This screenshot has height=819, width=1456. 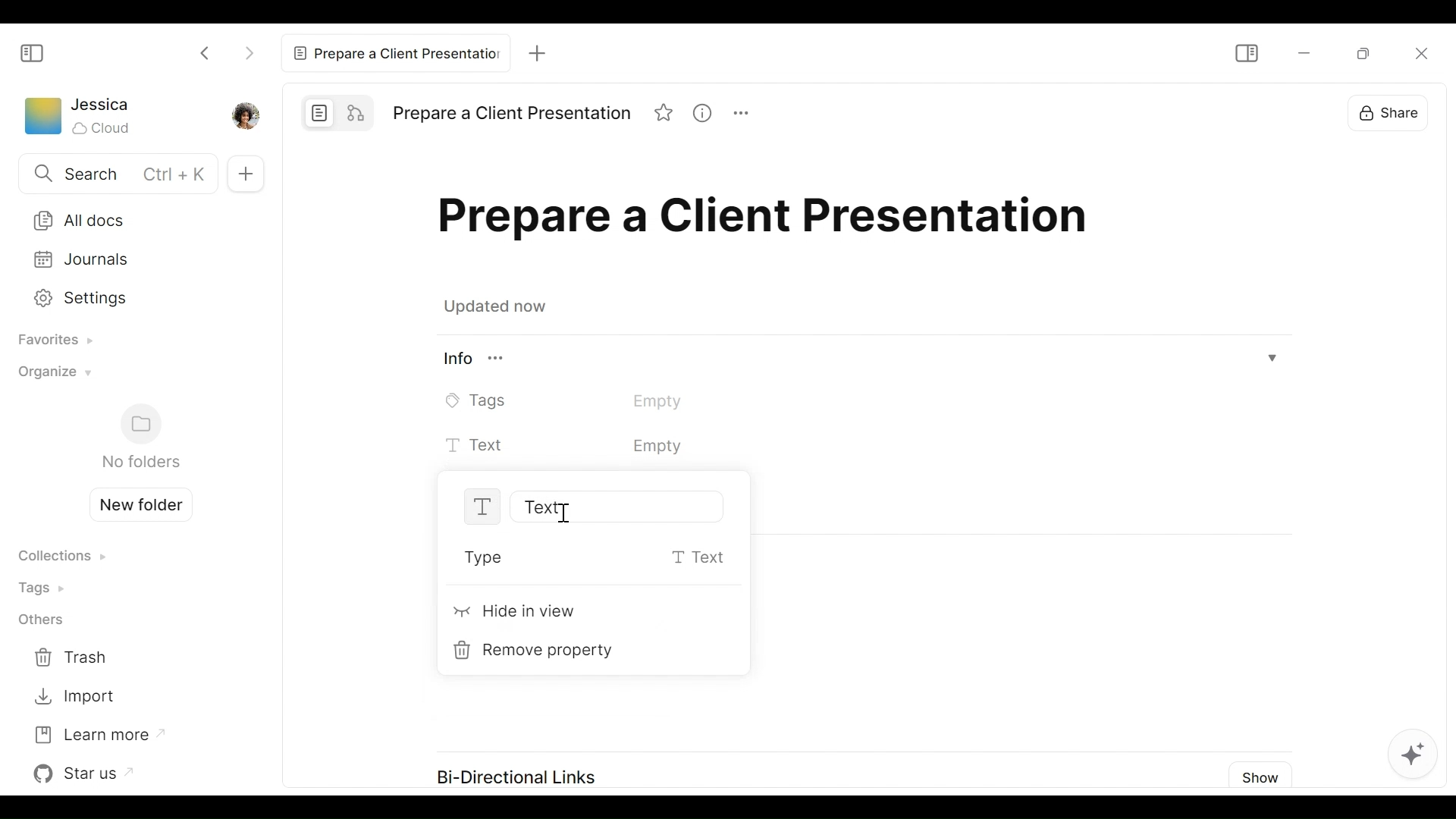 What do you see at coordinates (243, 115) in the screenshot?
I see `Profile picture` at bounding box center [243, 115].